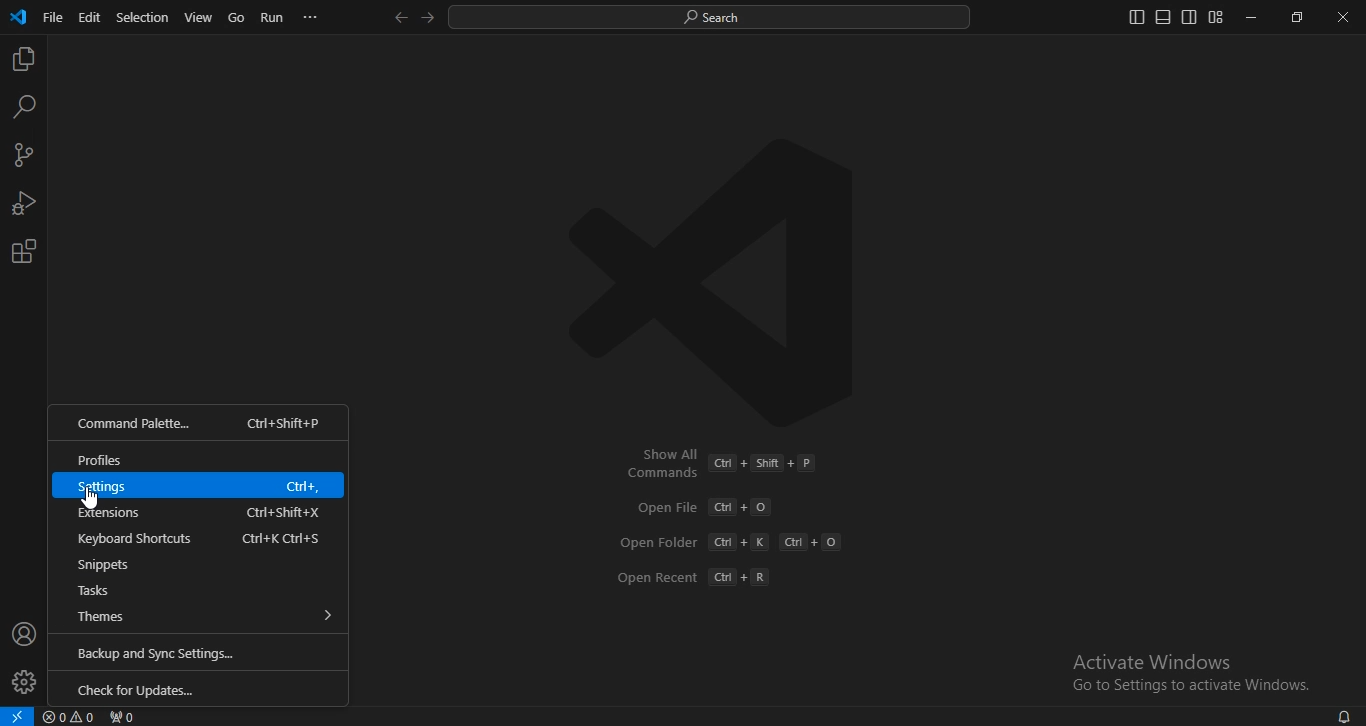 This screenshot has width=1366, height=726. What do you see at coordinates (1215, 17) in the screenshot?
I see `customize layout` at bounding box center [1215, 17].